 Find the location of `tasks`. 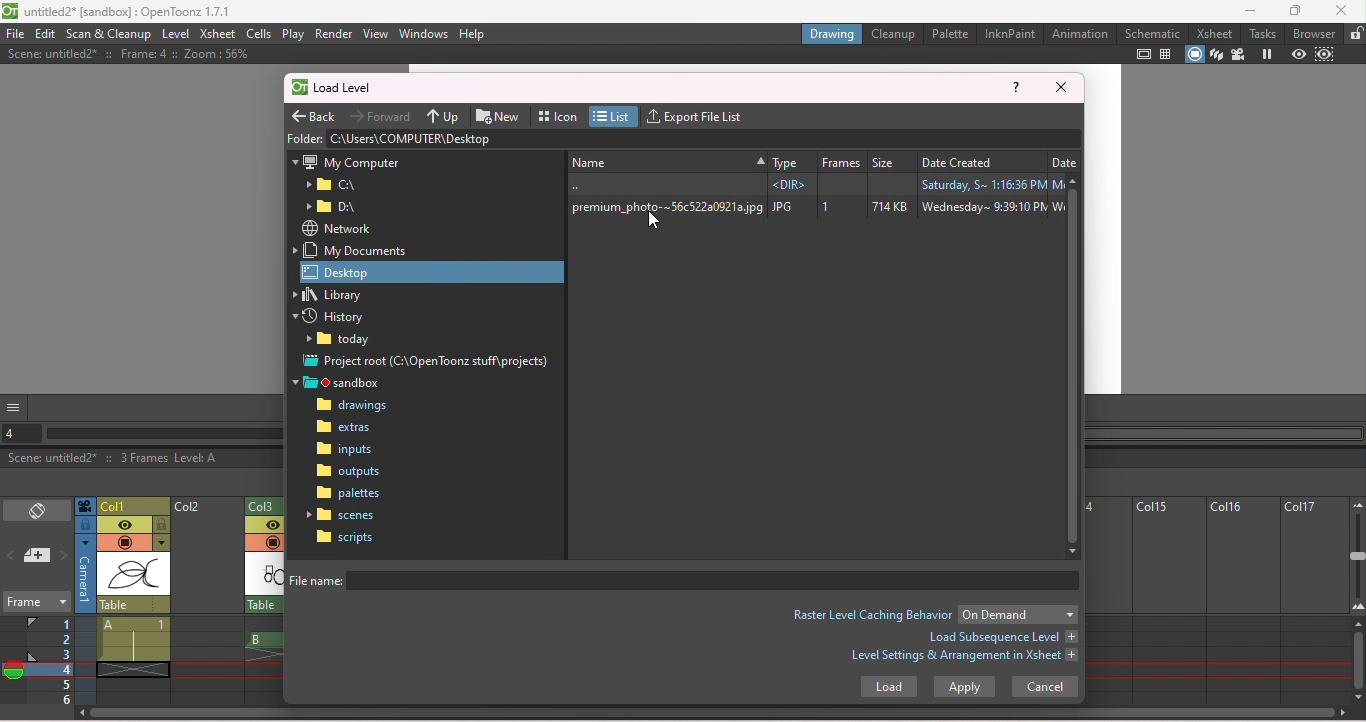

tasks is located at coordinates (1265, 33).